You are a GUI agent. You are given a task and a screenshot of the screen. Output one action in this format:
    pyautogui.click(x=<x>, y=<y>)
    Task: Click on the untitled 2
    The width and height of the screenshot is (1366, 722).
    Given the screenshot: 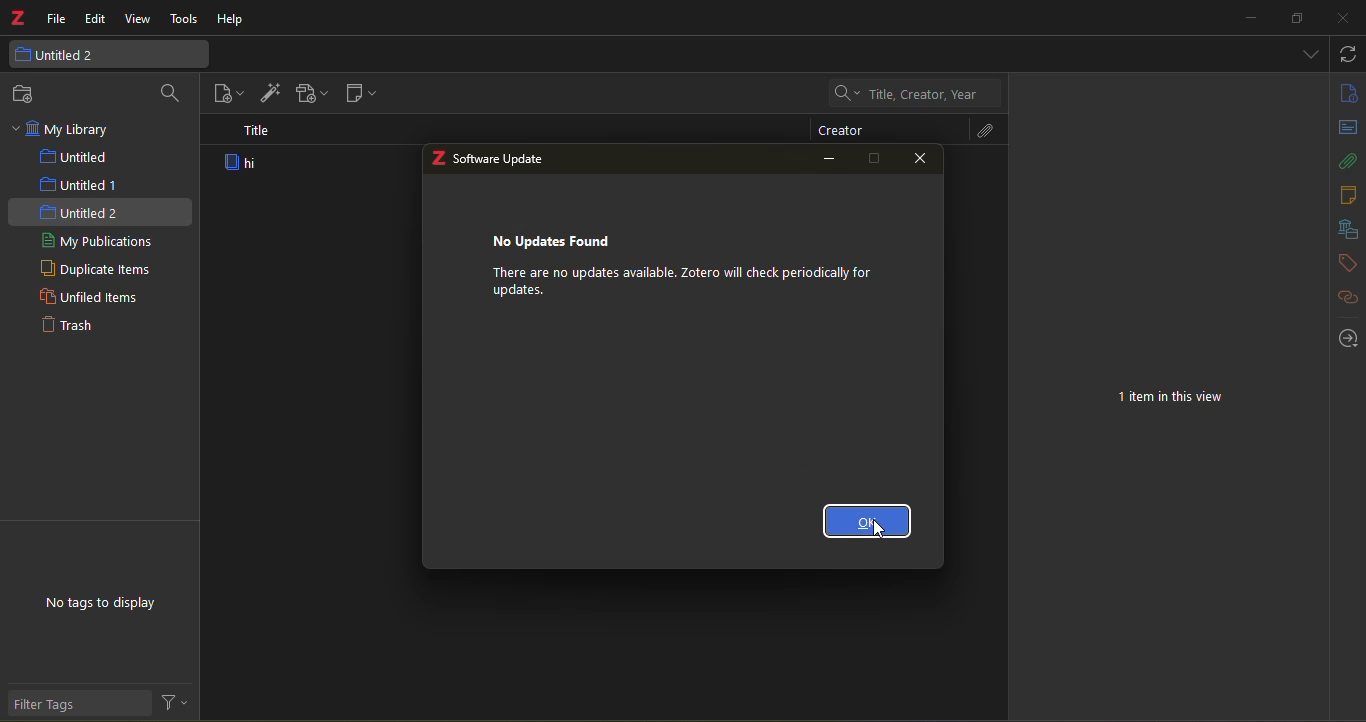 What is the action you would take?
    pyautogui.click(x=80, y=213)
    